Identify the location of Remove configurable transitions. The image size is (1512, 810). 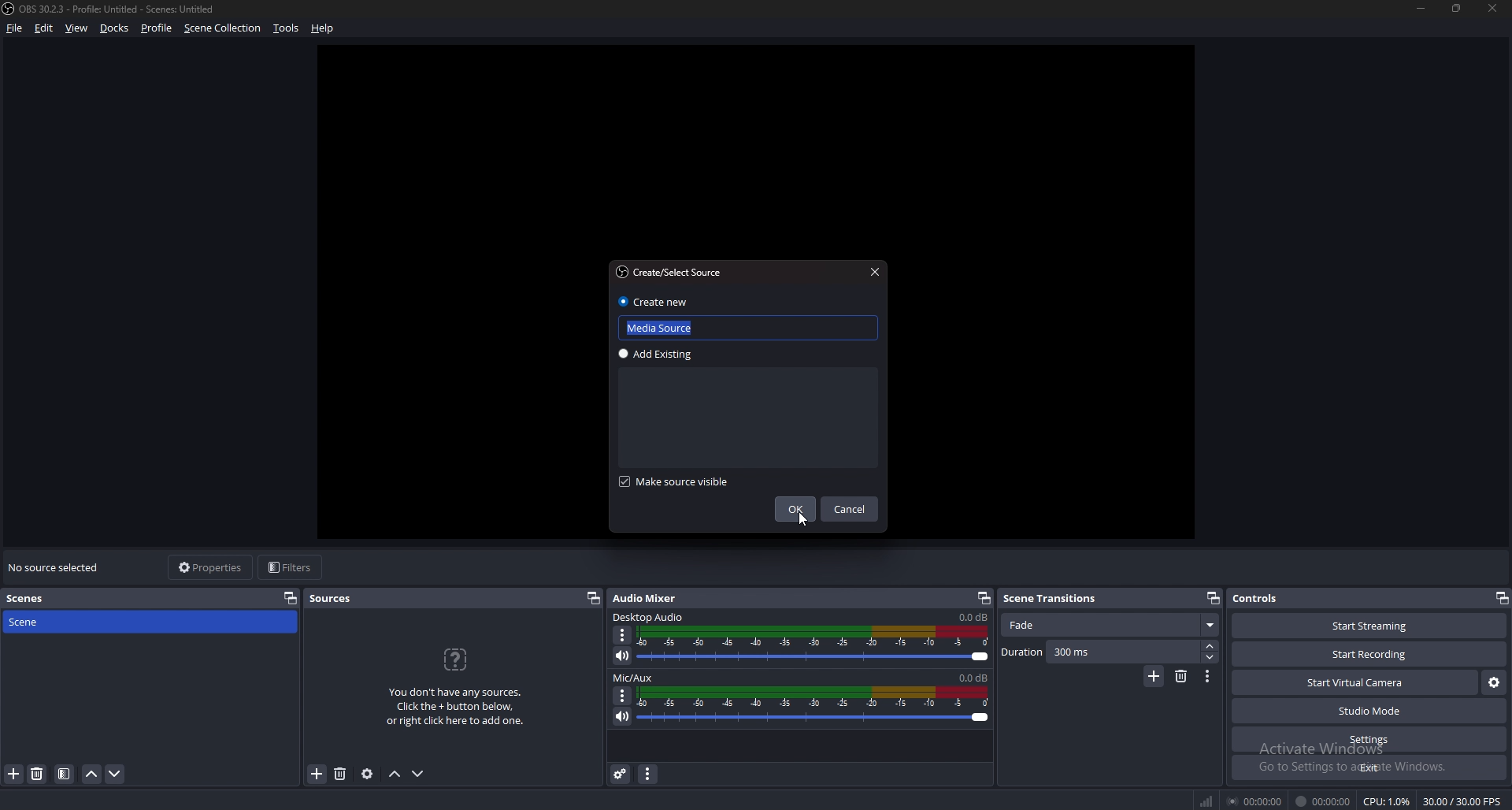
(1182, 675).